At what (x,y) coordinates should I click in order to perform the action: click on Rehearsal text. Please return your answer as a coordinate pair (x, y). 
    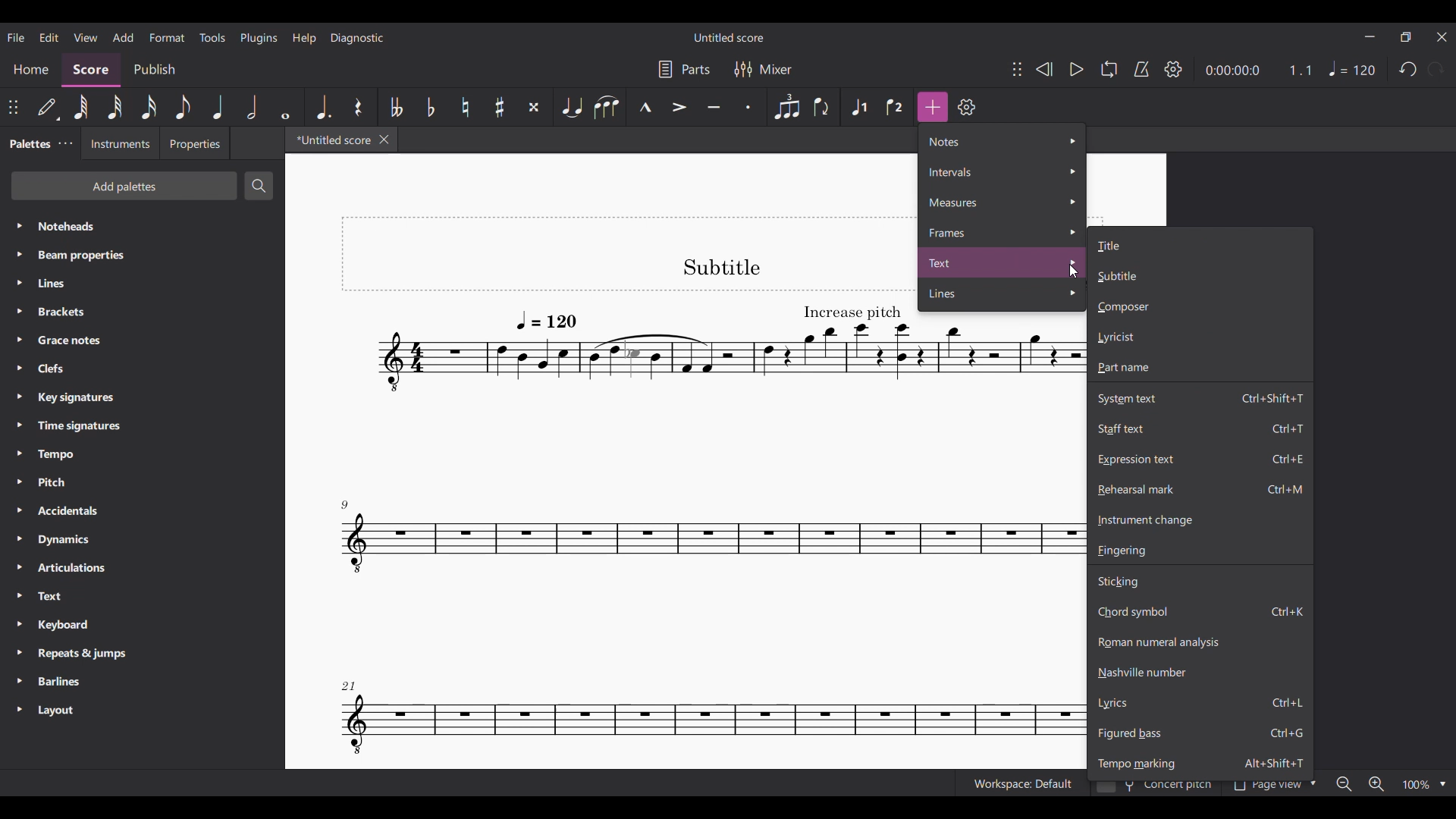
    Looking at the image, I should click on (1201, 489).